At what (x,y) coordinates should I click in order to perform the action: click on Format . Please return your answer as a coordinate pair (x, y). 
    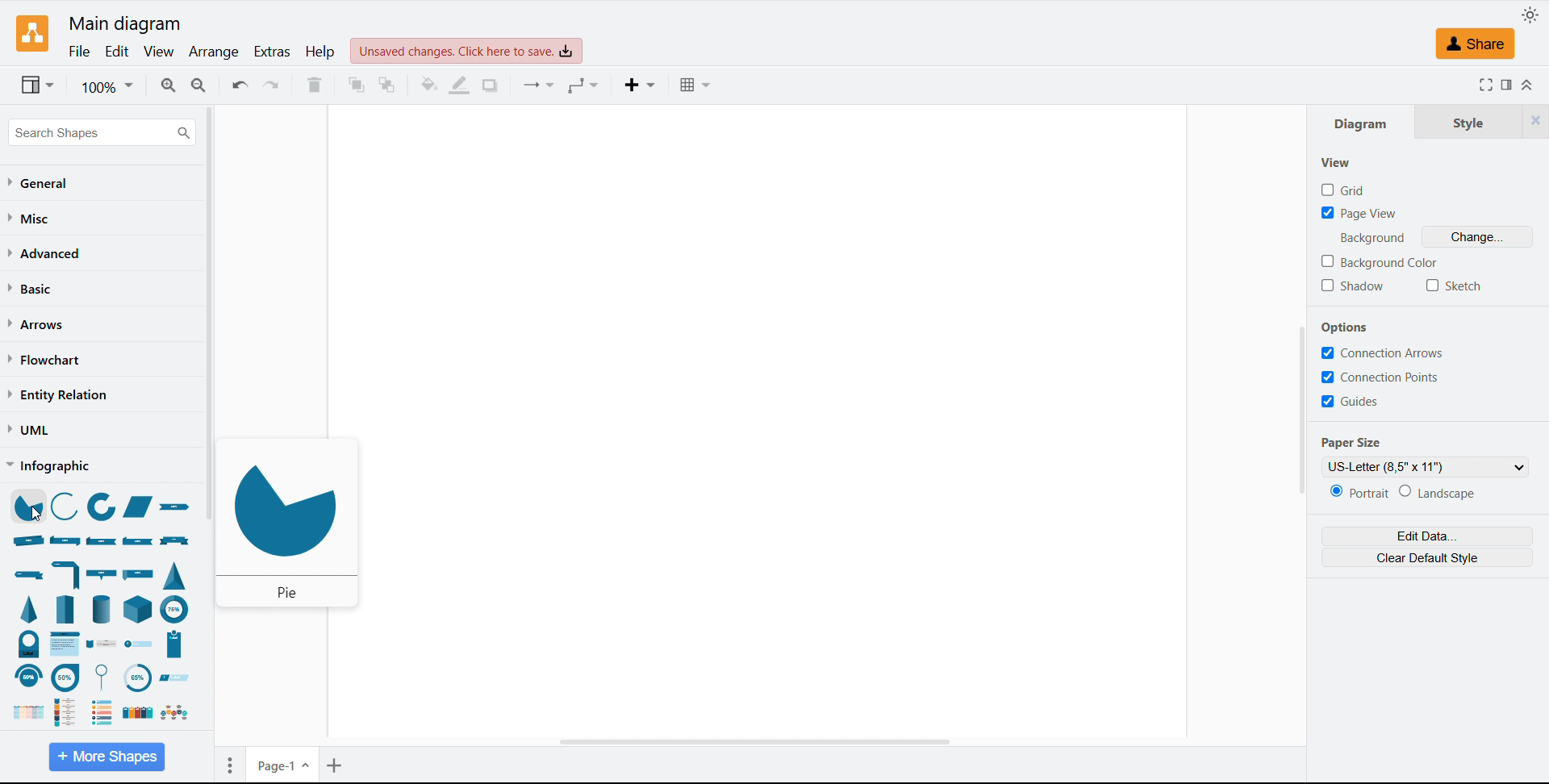
    Looking at the image, I should click on (1509, 85).